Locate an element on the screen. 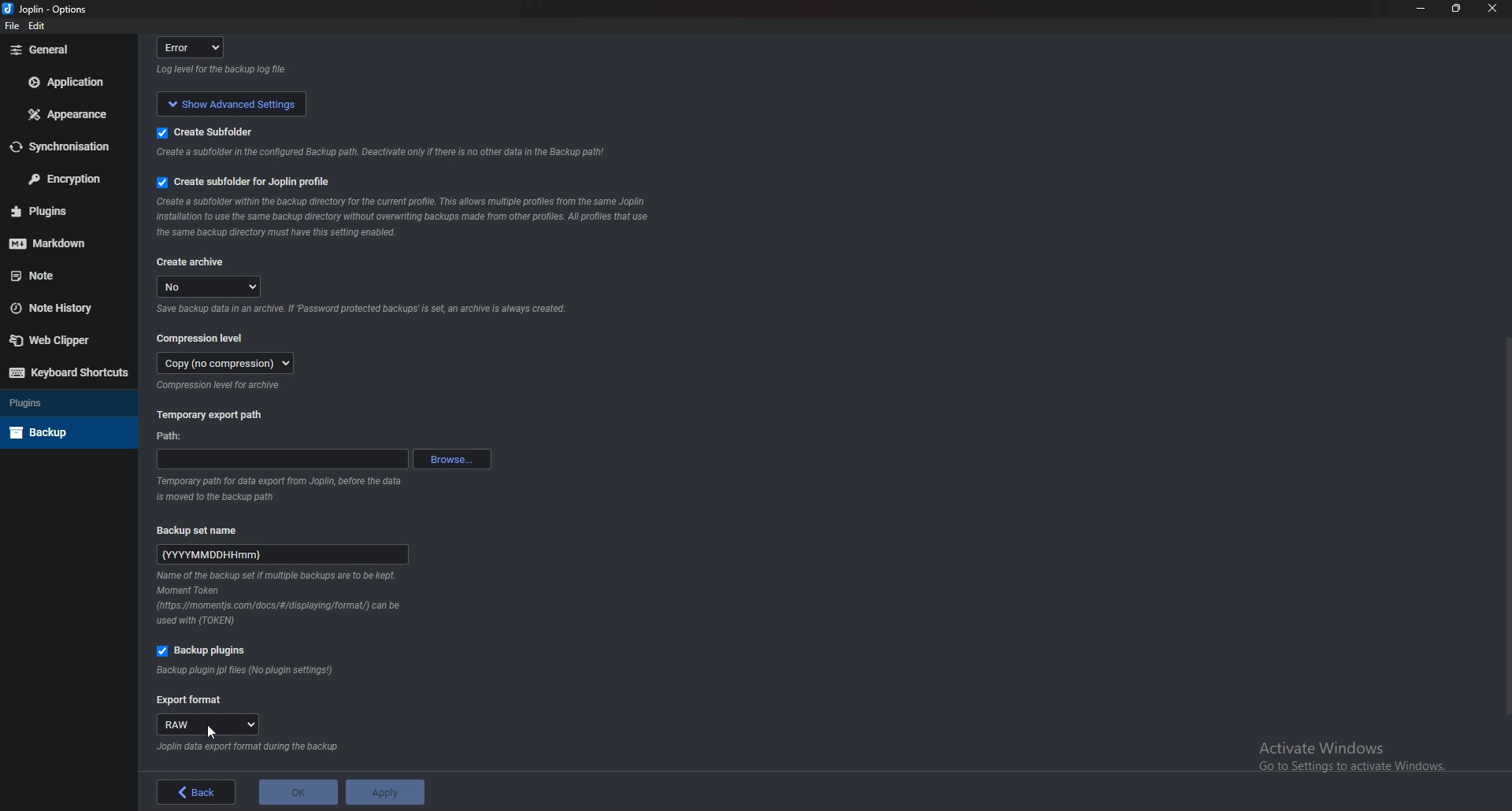 This screenshot has width=1512, height=811. name is located at coordinates (283, 552).